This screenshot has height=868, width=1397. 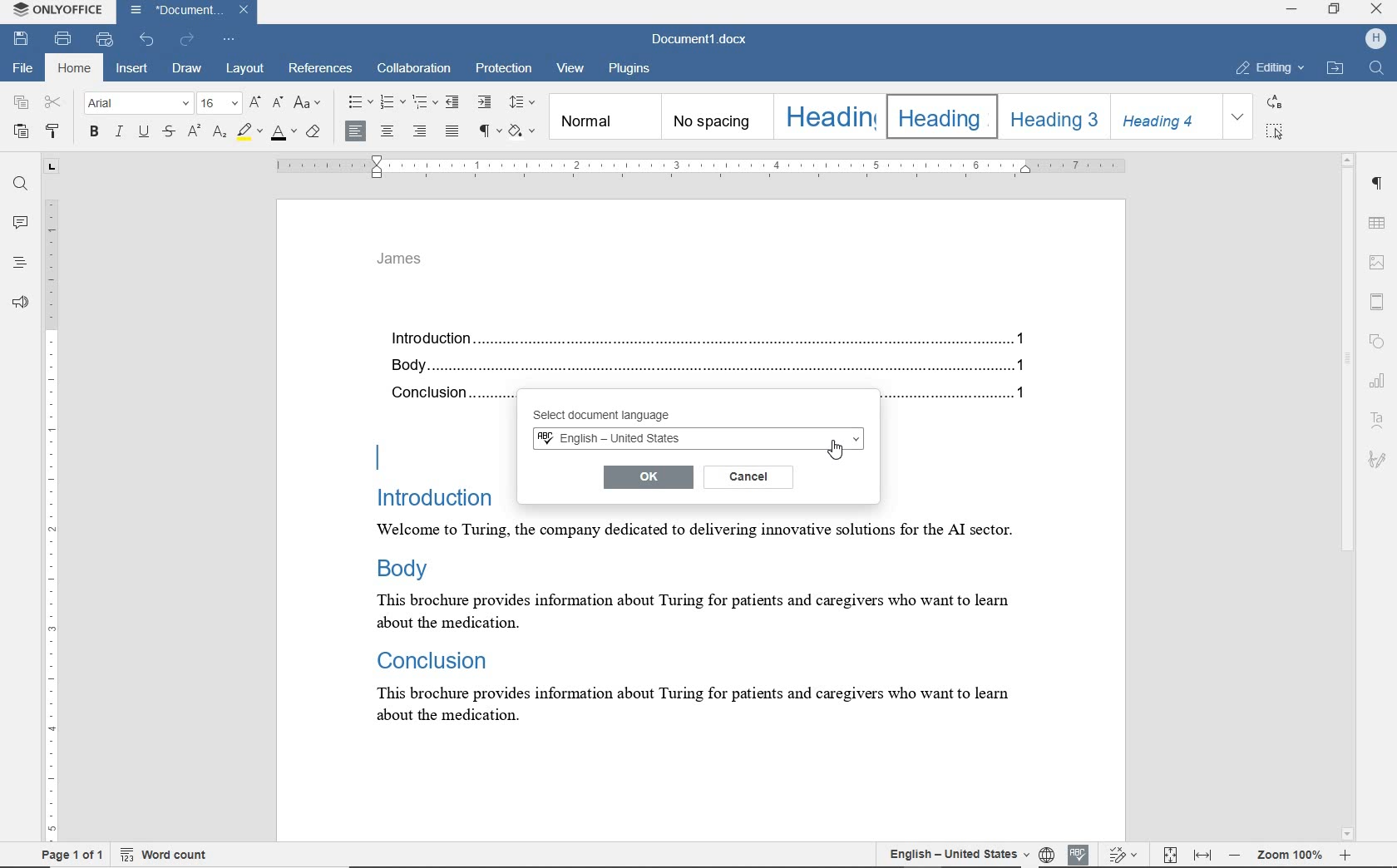 I want to click on normal, so click(x=604, y=116).